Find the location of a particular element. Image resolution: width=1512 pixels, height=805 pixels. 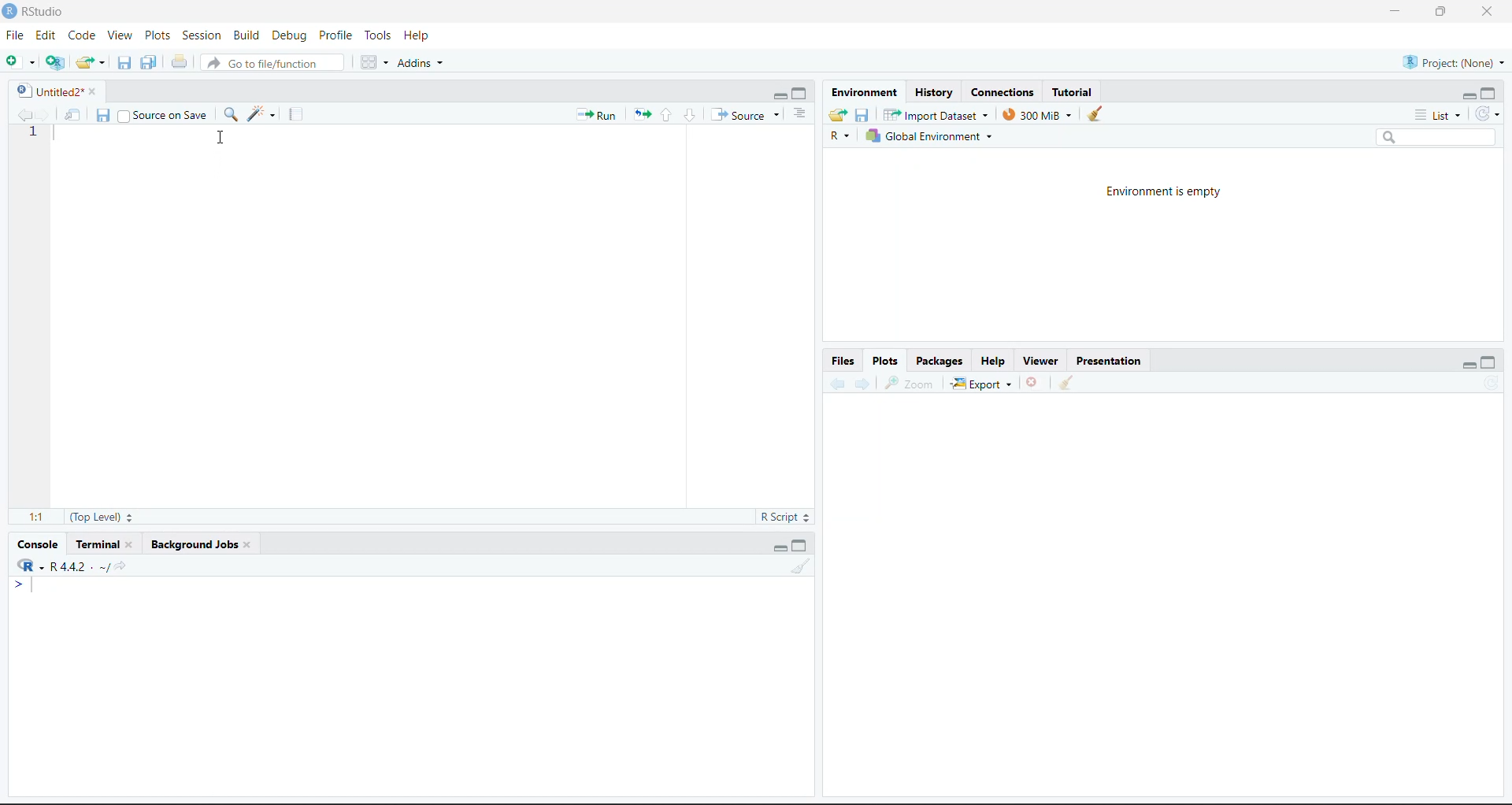

go to next section/chunk is located at coordinates (688, 116).